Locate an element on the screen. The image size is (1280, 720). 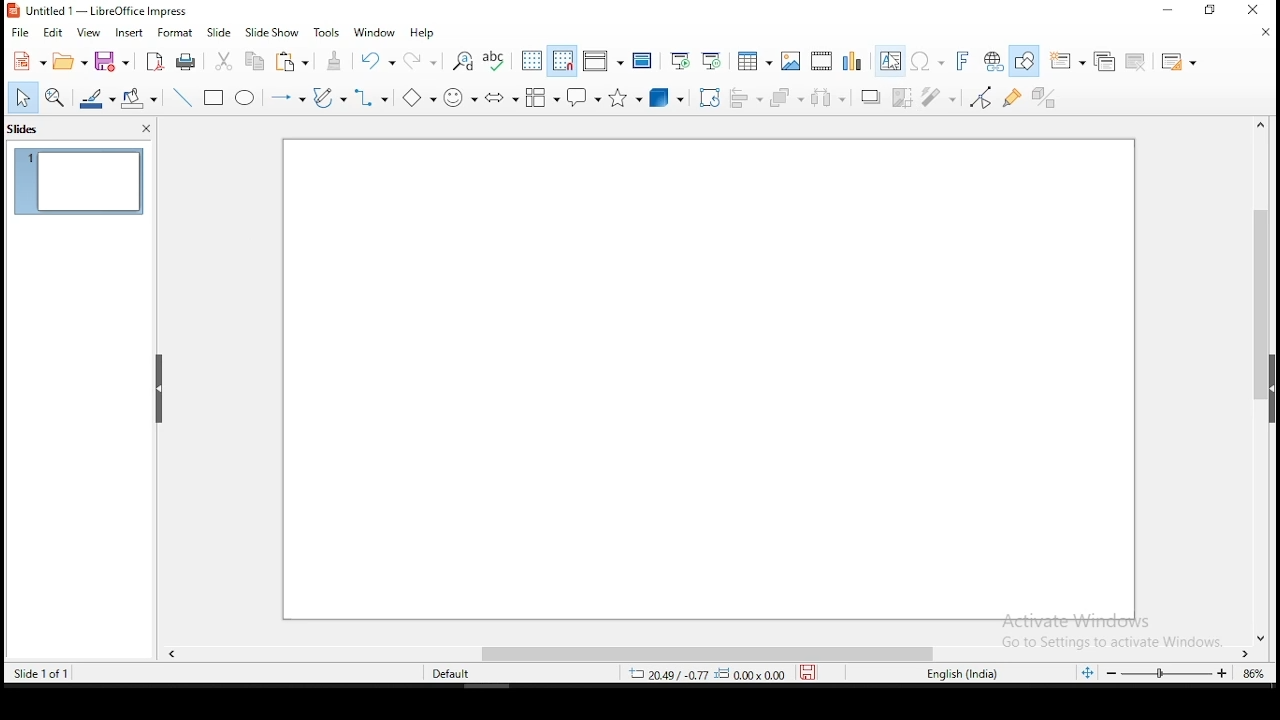
display views is located at coordinates (604, 58).